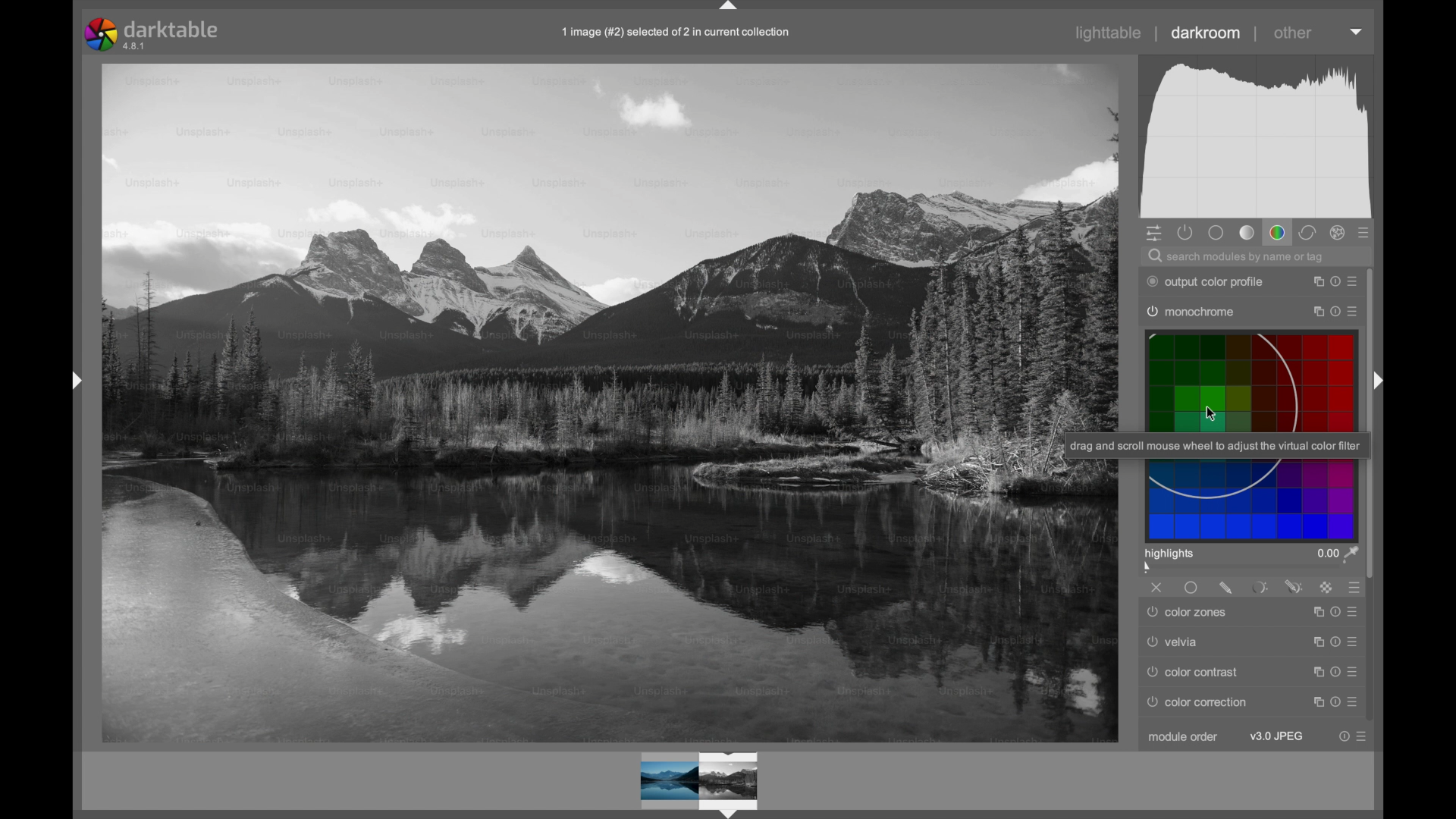  I want to click on presets, so click(1357, 642).